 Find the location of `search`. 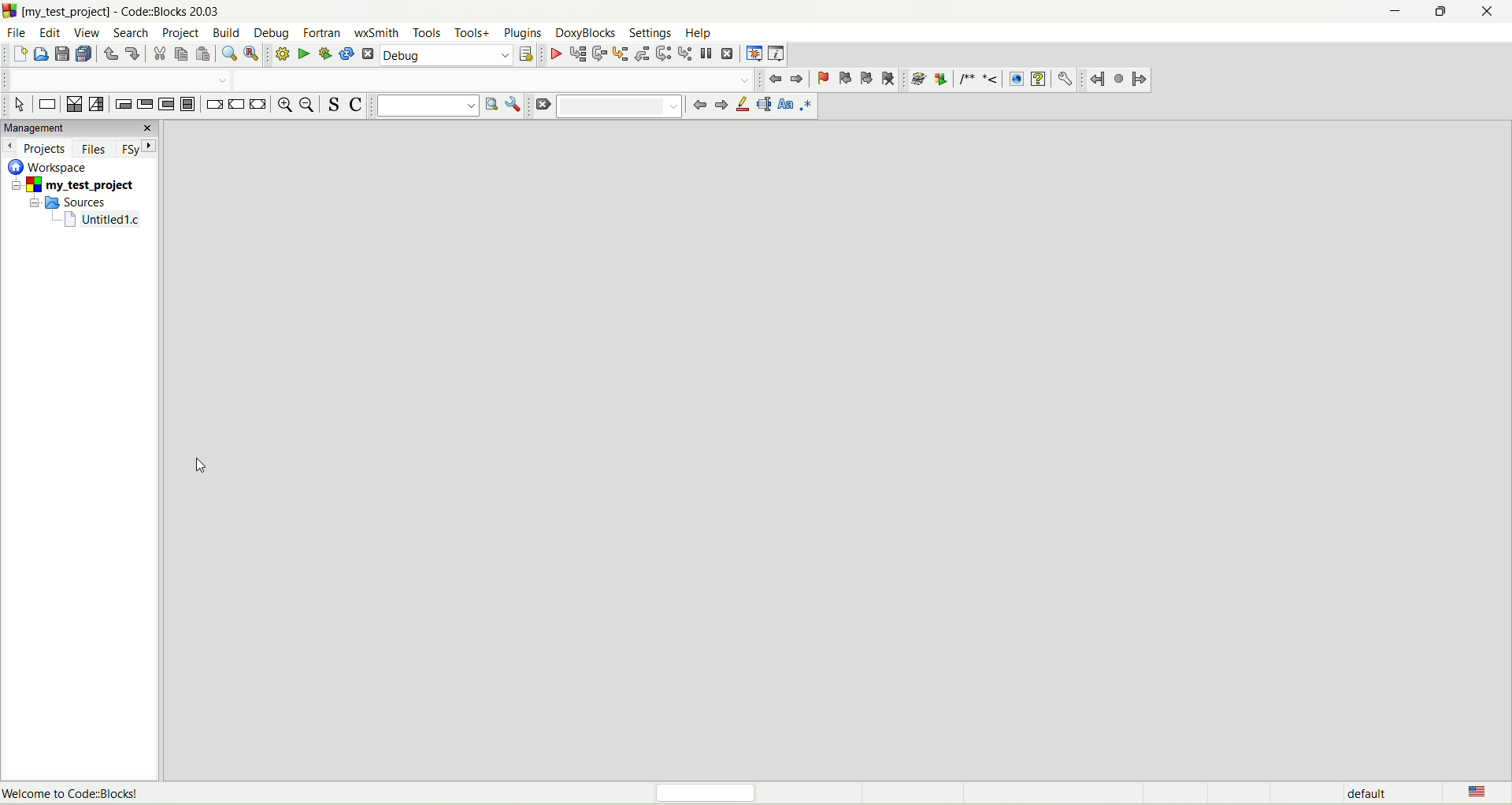

search is located at coordinates (135, 33).